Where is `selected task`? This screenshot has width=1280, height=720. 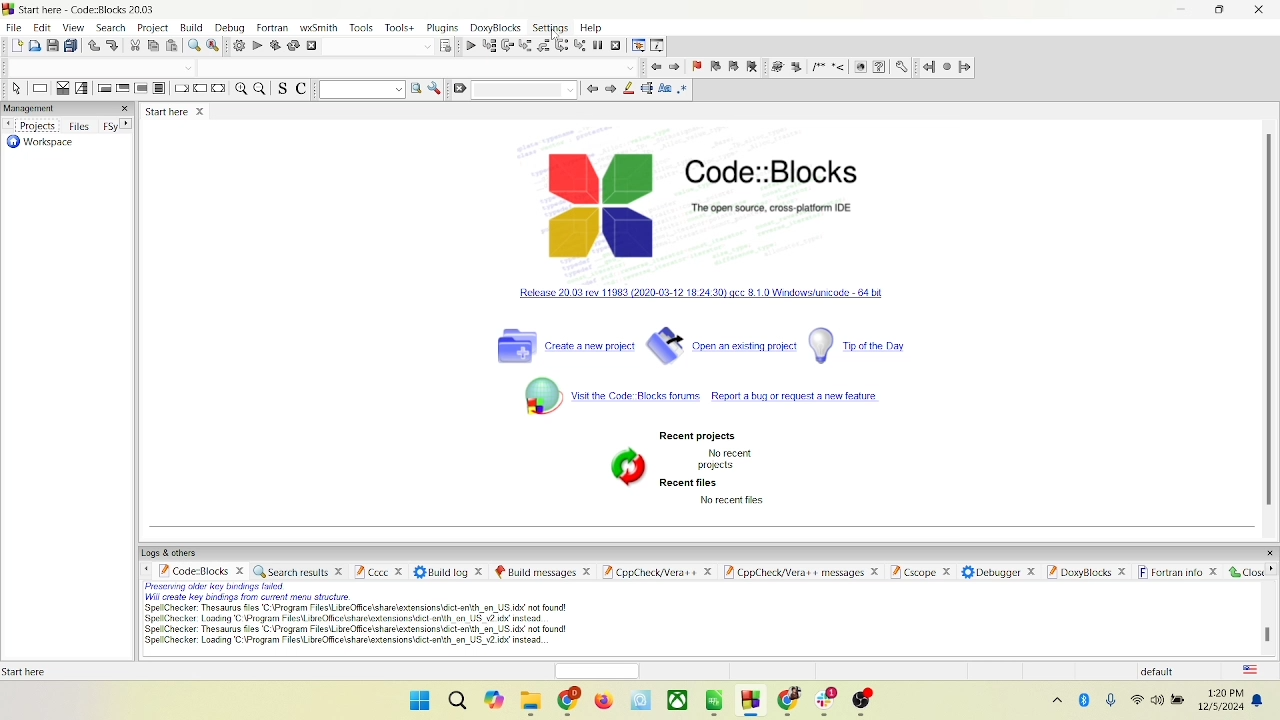 selected task is located at coordinates (648, 90).